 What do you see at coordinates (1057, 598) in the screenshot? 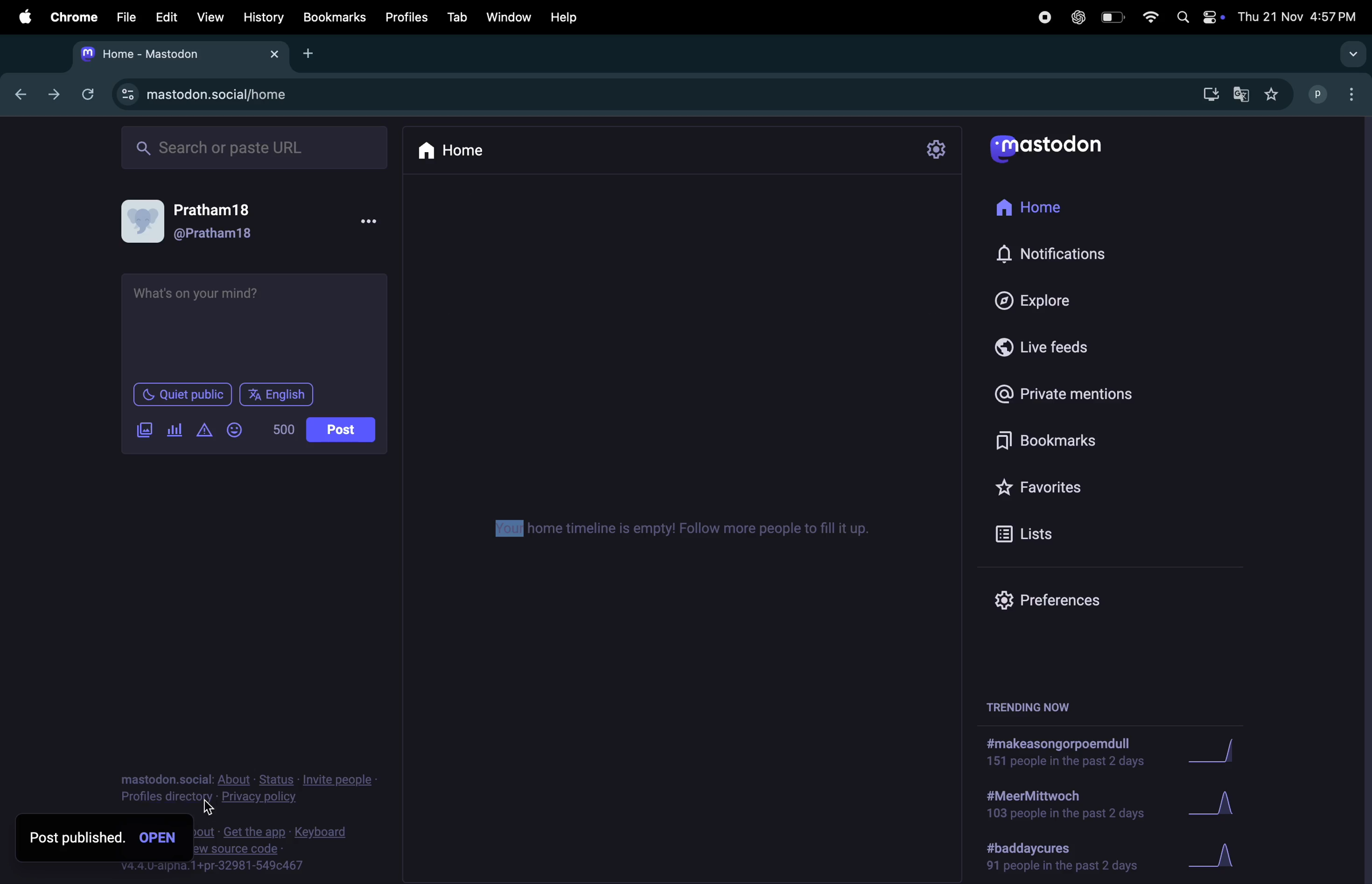
I see `prefrences` at bounding box center [1057, 598].